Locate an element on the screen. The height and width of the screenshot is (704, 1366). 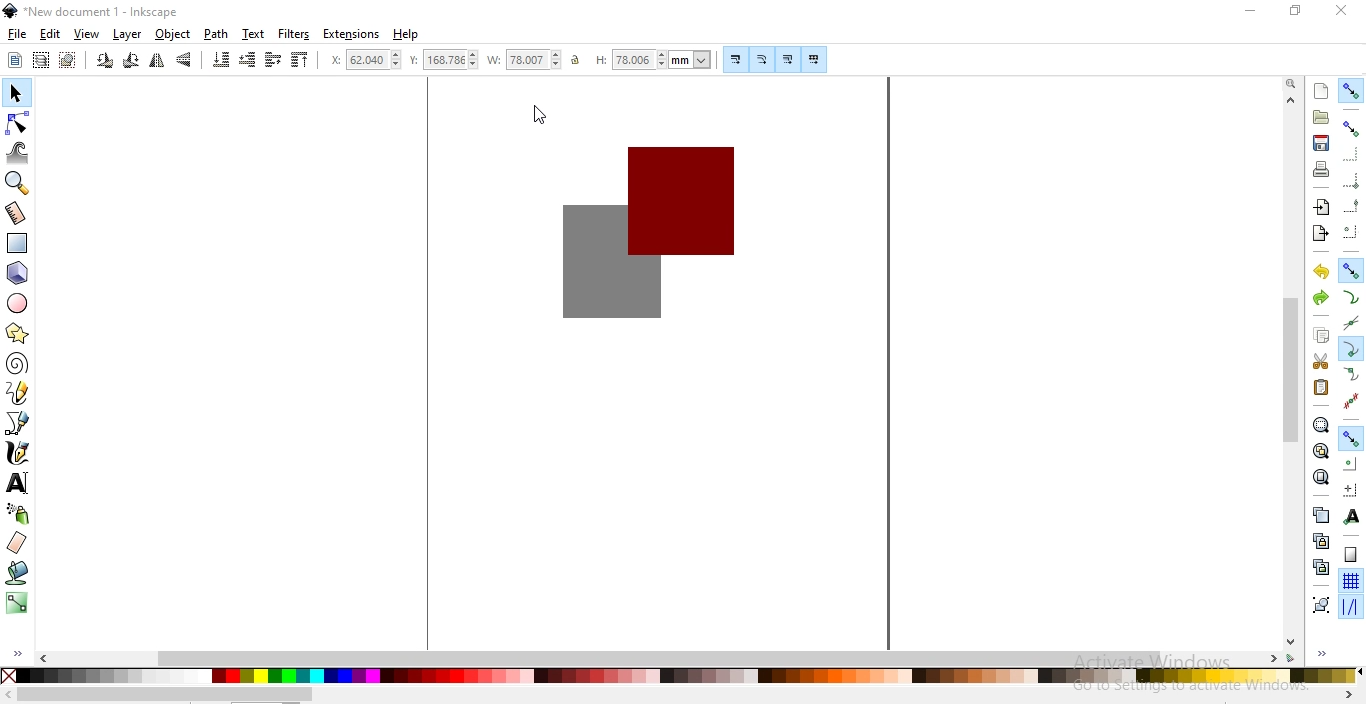
select any object in visible and unlocked layers is located at coordinates (42, 60).